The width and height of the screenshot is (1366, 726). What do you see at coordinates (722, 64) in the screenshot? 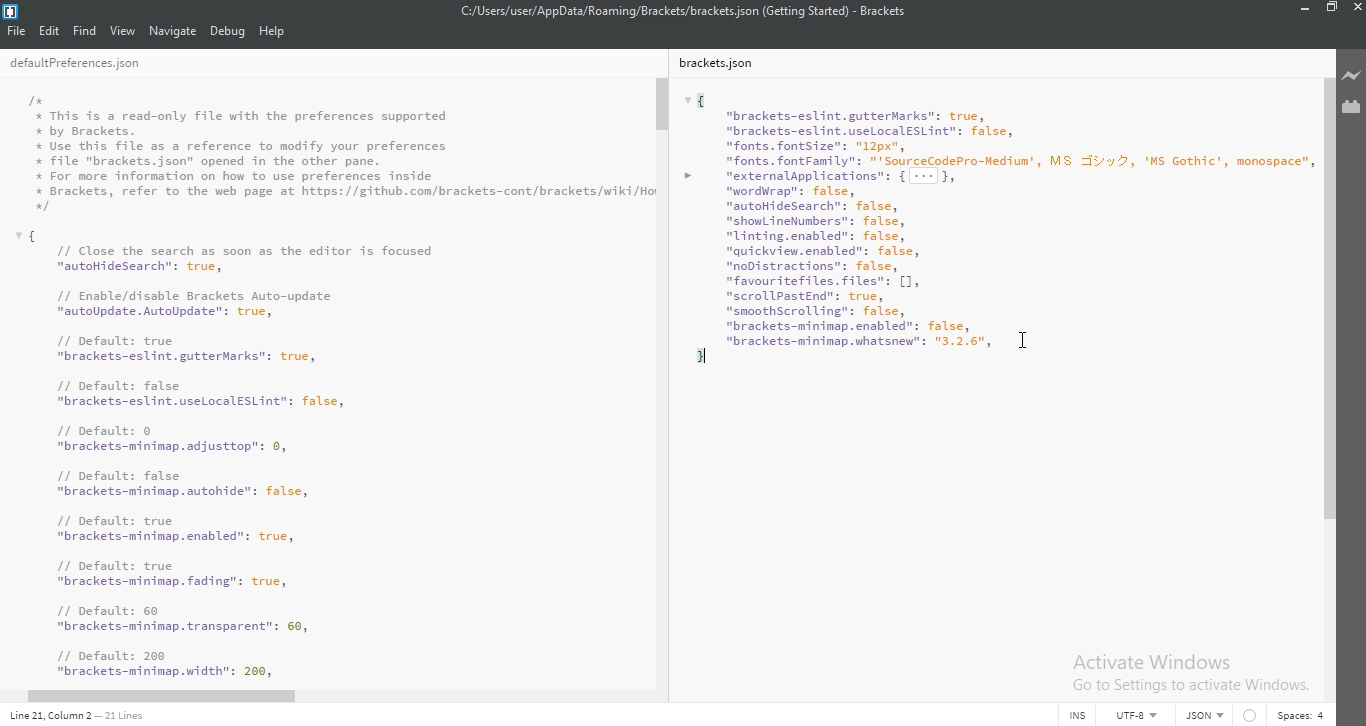
I see `brackets.json` at bounding box center [722, 64].